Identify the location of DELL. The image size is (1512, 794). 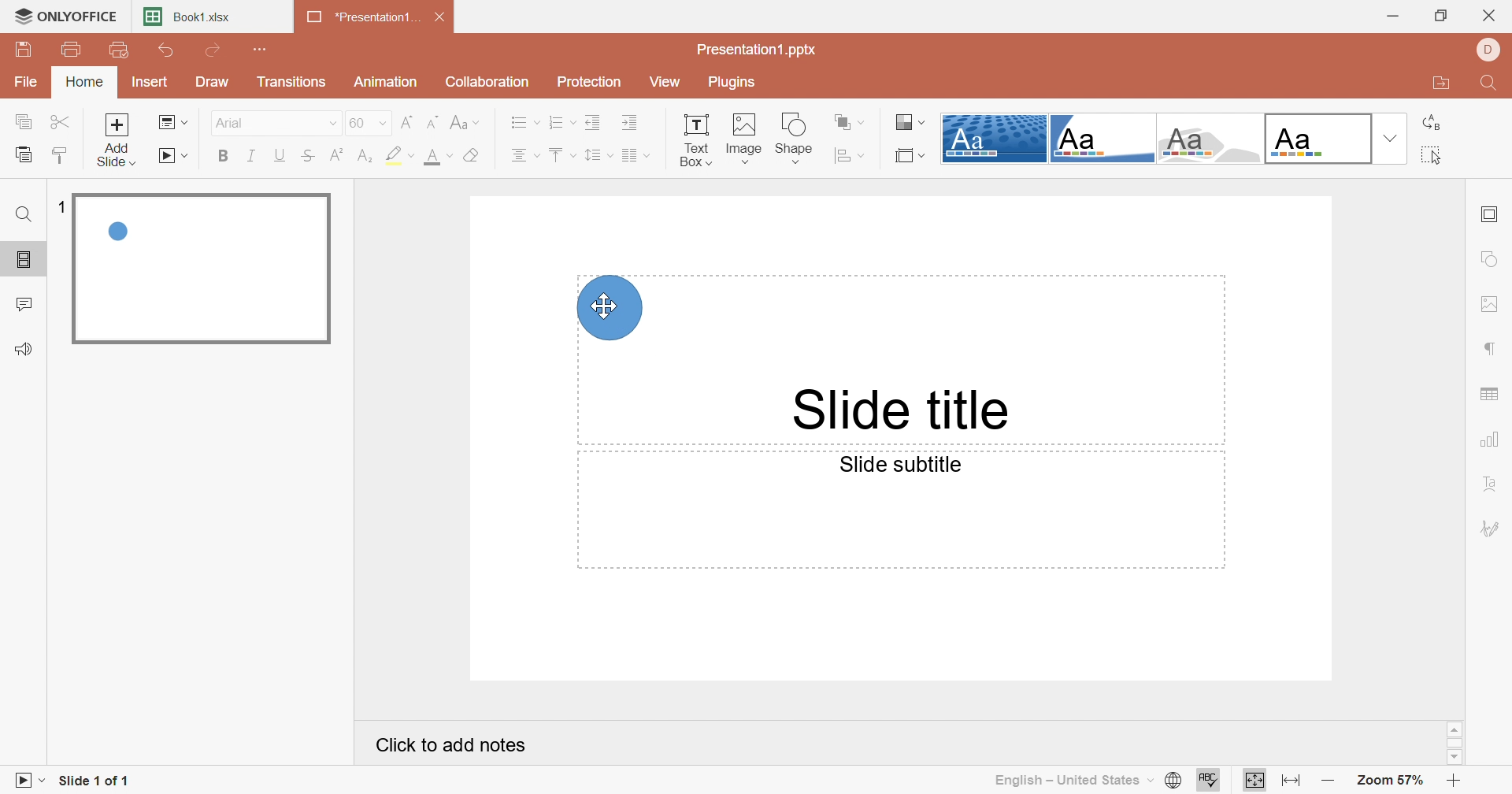
(1489, 49).